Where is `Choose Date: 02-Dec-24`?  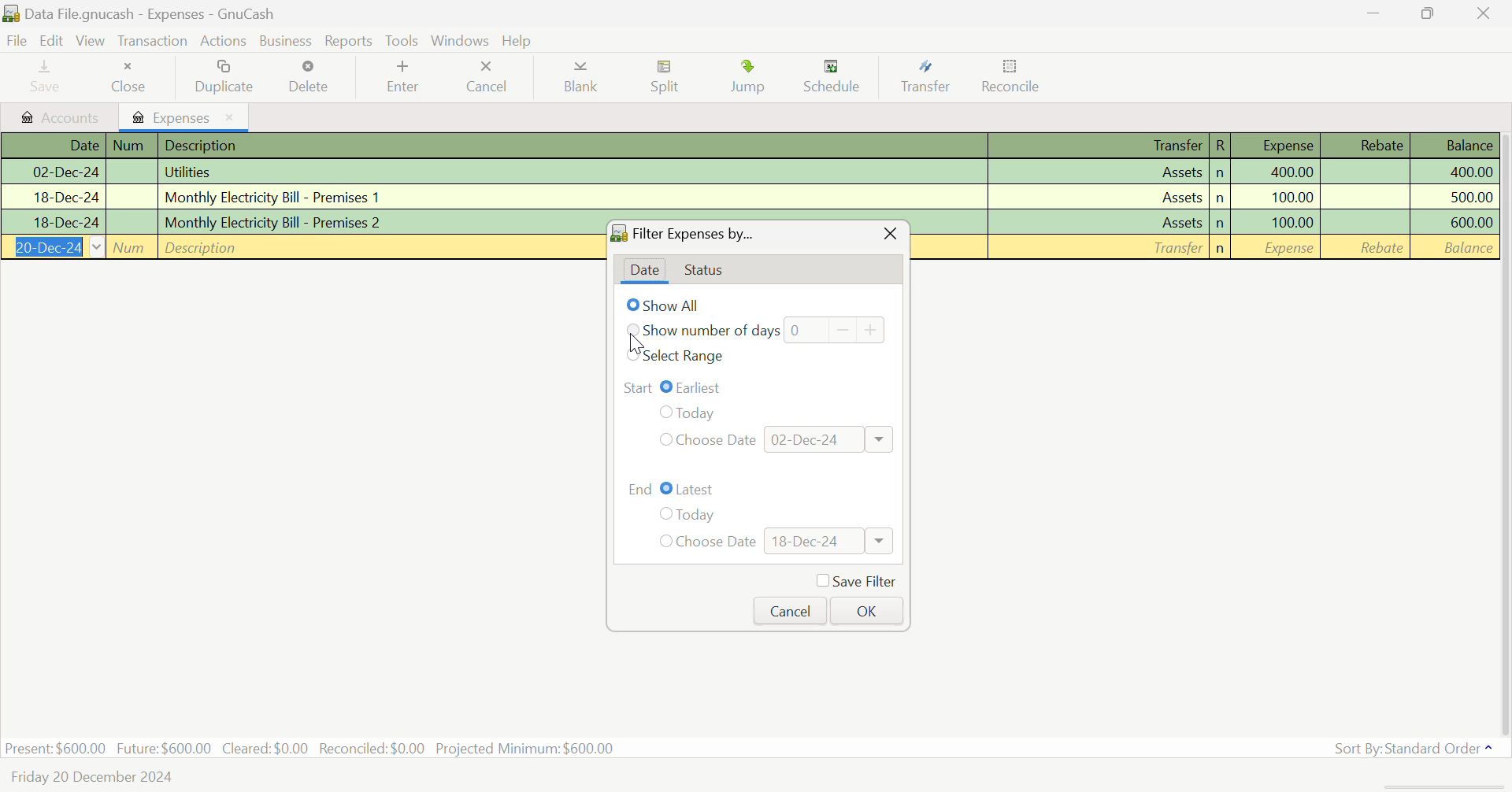
Choose Date: 02-Dec-24 is located at coordinates (773, 440).